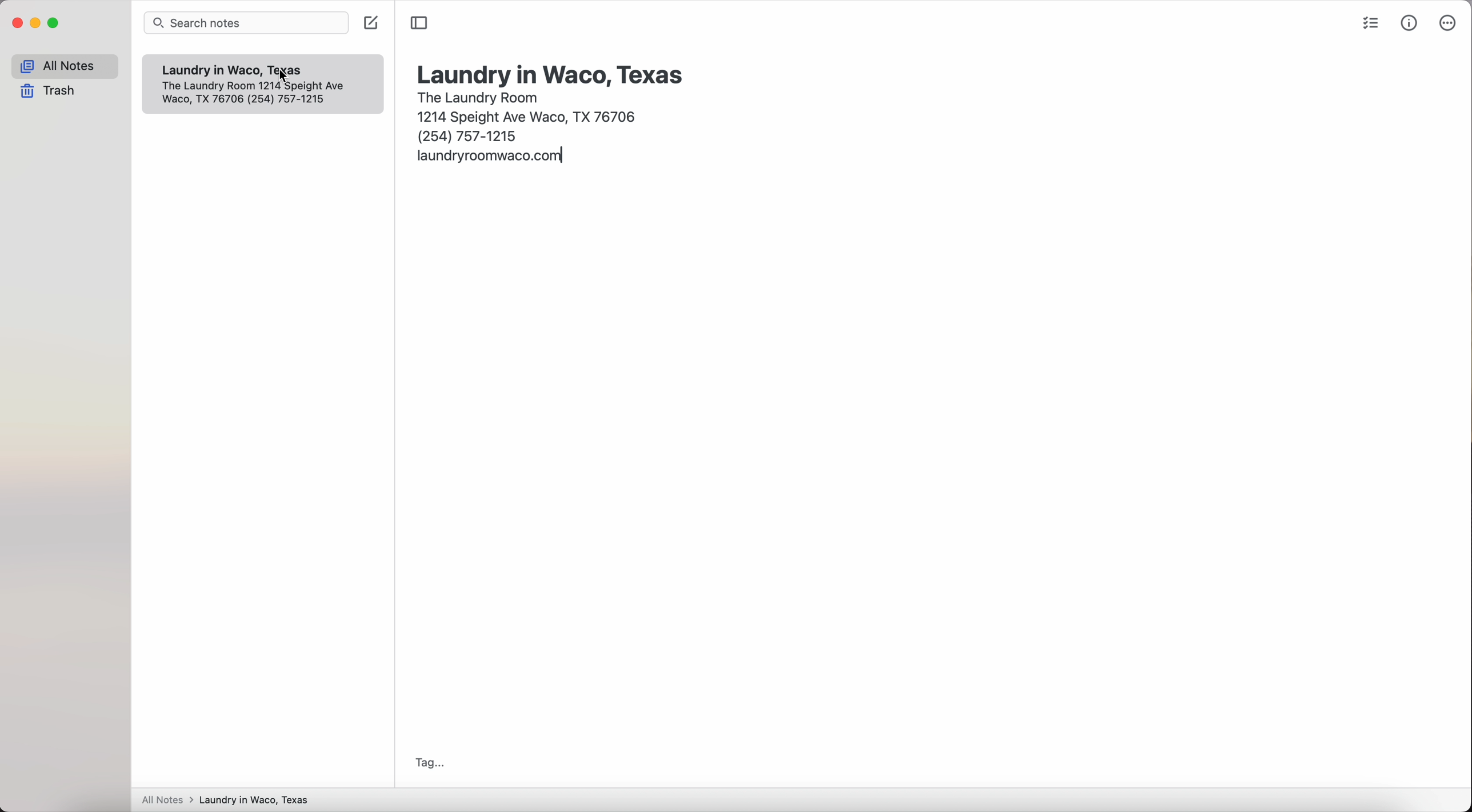 The height and width of the screenshot is (812, 1472). What do you see at coordinates (51, 92) in the screenshot?
I see `trash` at bounding box center [51, 92].